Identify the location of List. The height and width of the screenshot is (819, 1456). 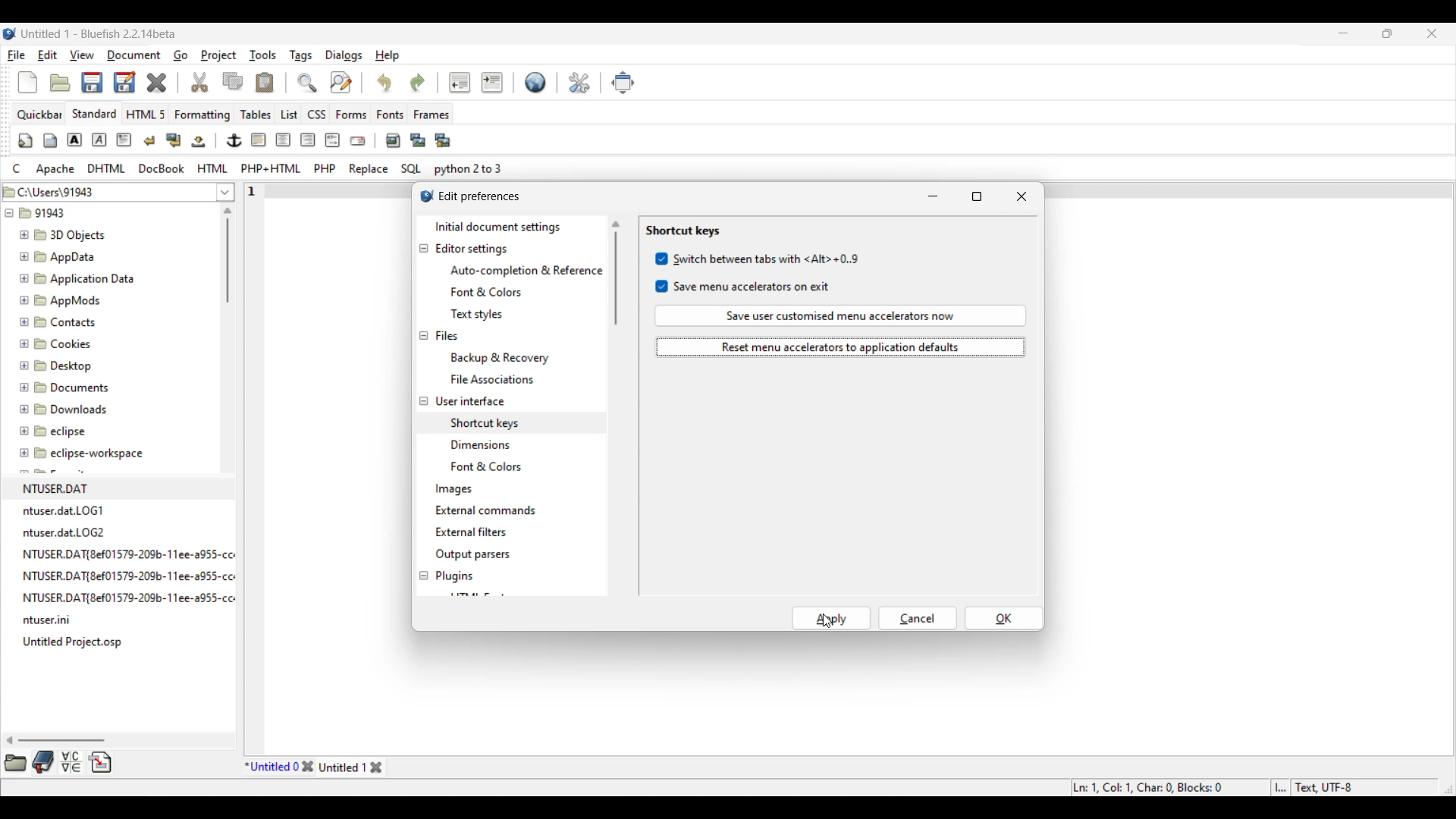
(289, 115).